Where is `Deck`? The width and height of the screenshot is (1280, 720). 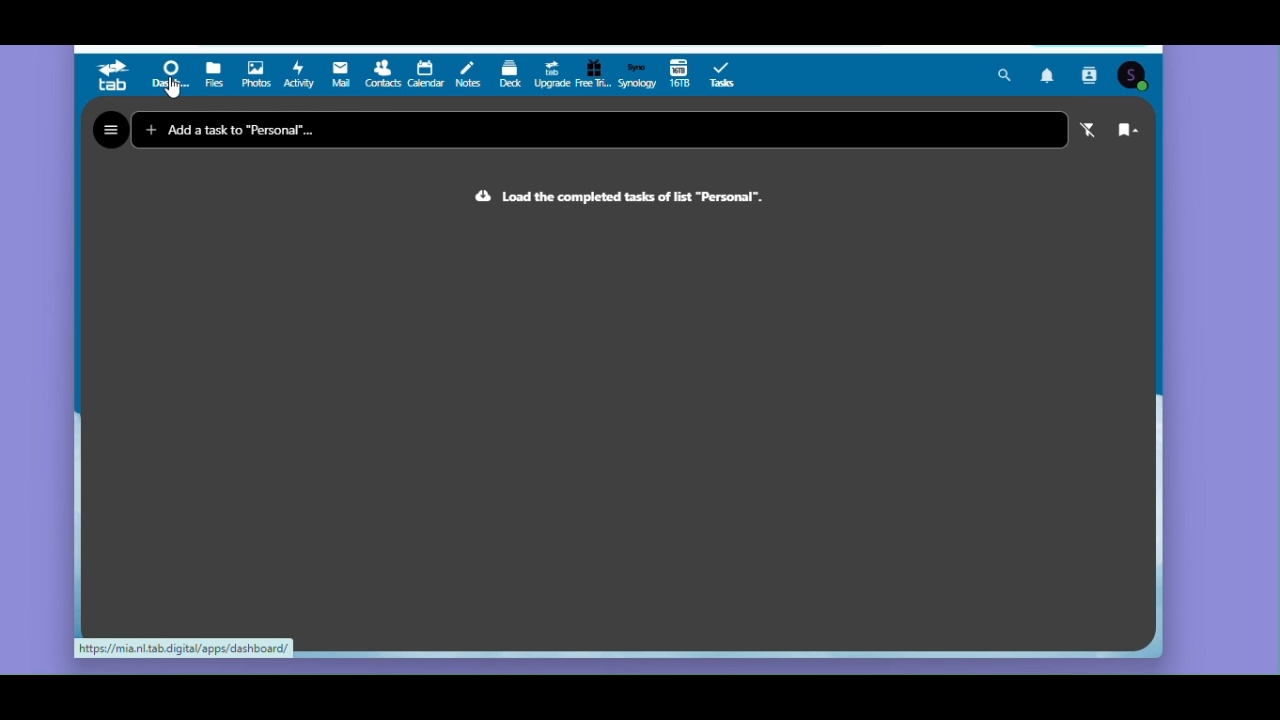 Deck is located at coordinates (509, 75).